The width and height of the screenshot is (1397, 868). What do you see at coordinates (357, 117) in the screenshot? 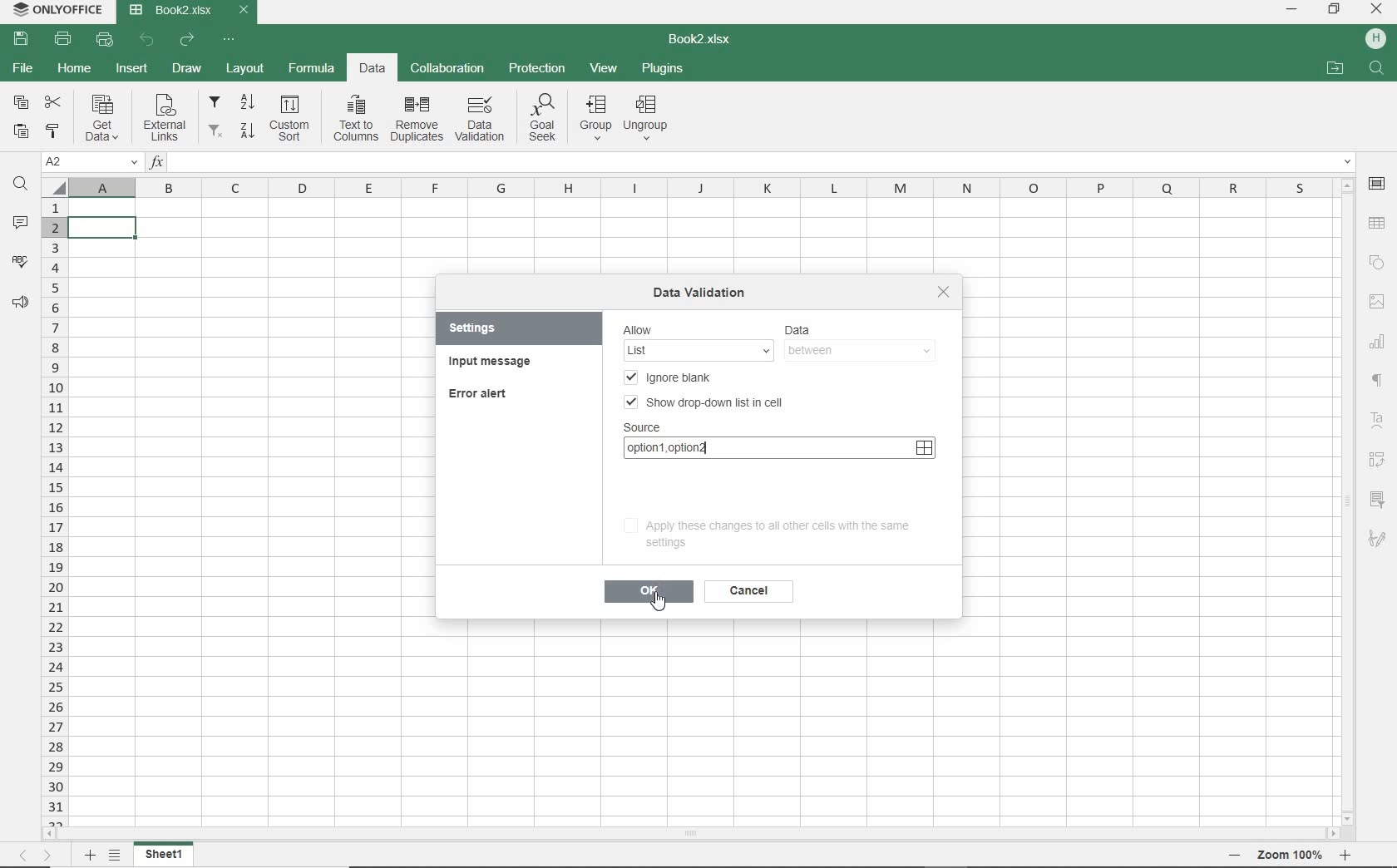
I see `text to columns` at bounding box center [357, 117].